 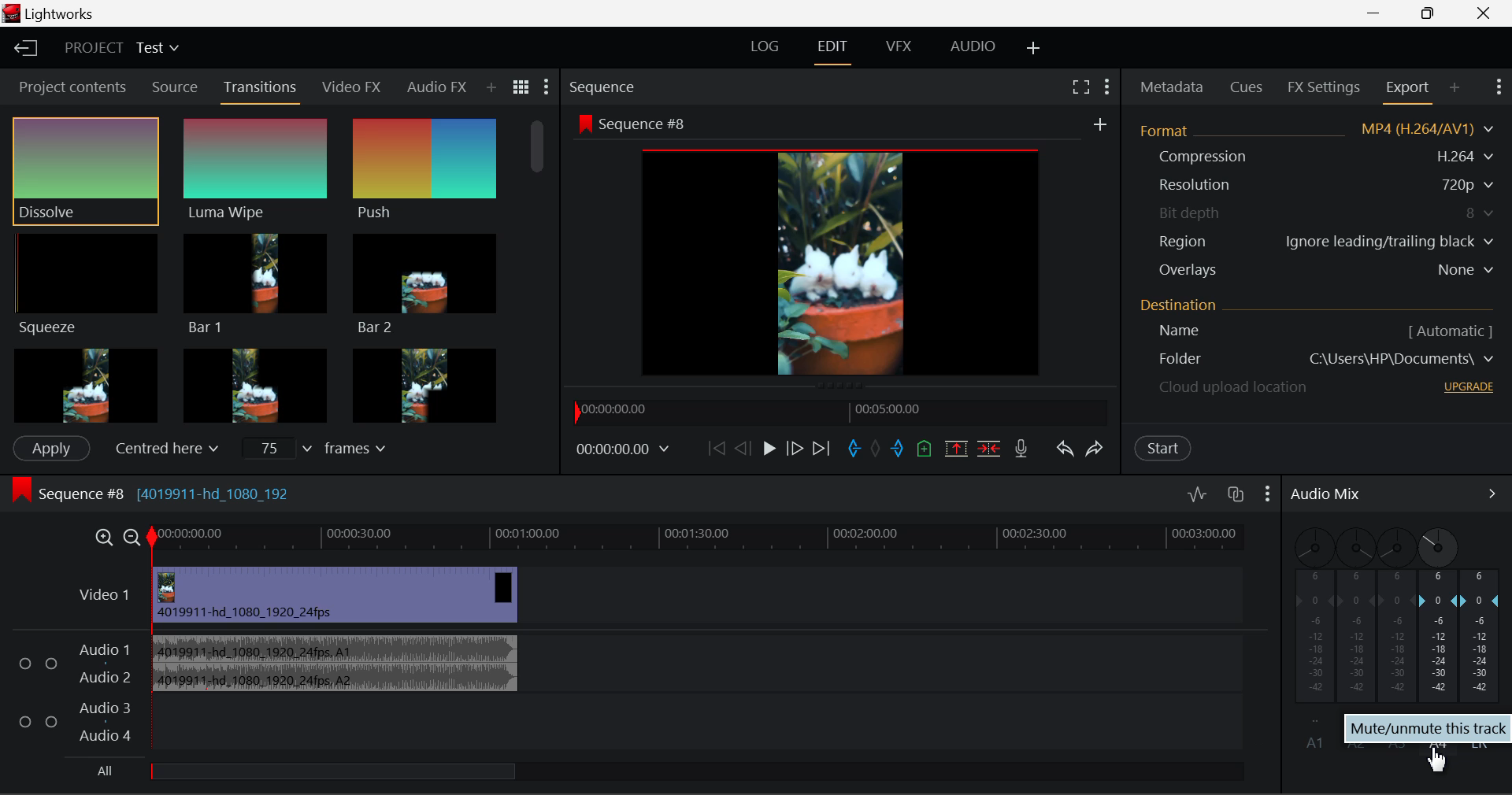 I want to click on Audio Input Field, so click(x=638, y=693).